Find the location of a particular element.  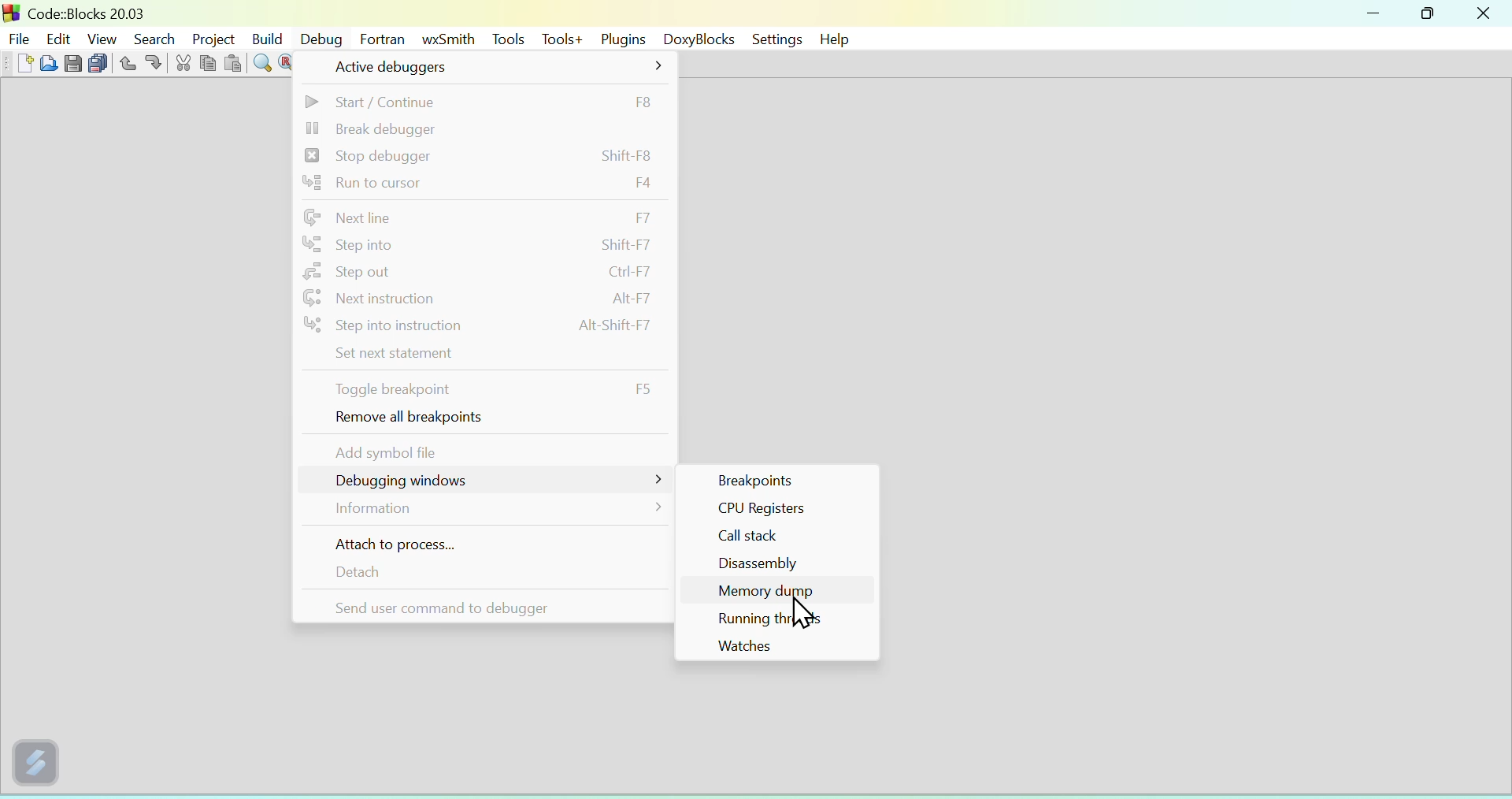

Call stack is located at coordinates (777, 538).